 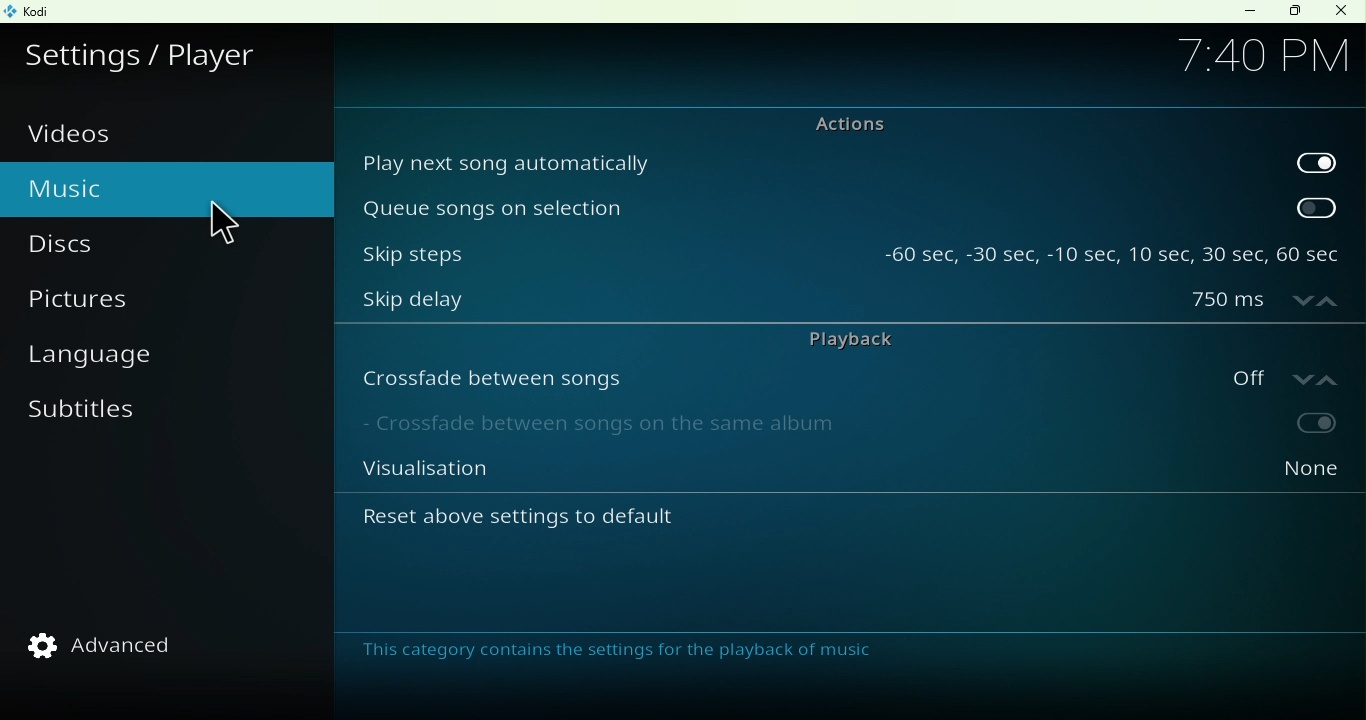 What do you see at coordinates (1267, 475) in the screenshot?
I see `None` at bounding box center [1267, 475].